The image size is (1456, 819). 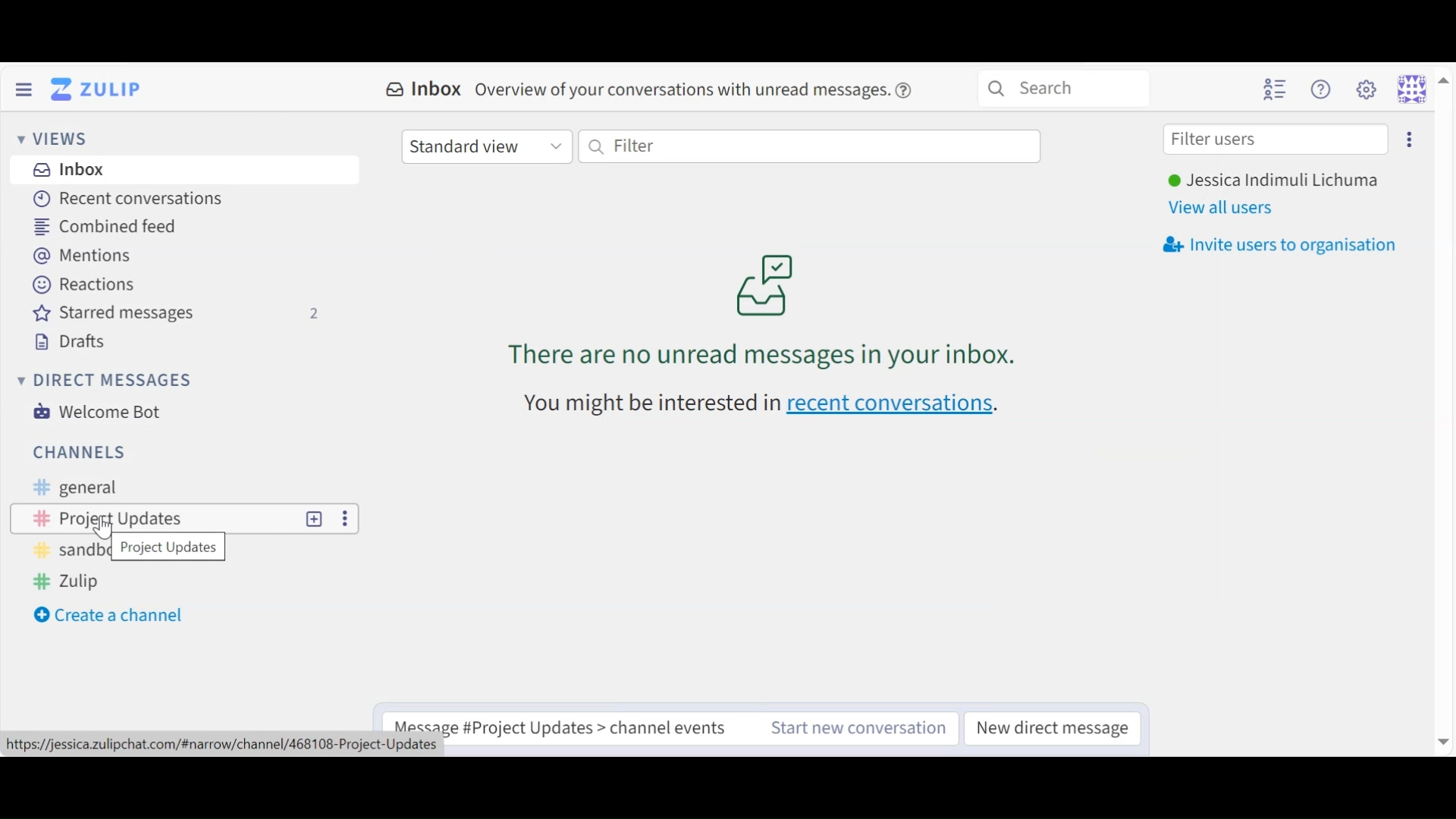 I want to click on Personal menu, so click(x=1421, y=88).